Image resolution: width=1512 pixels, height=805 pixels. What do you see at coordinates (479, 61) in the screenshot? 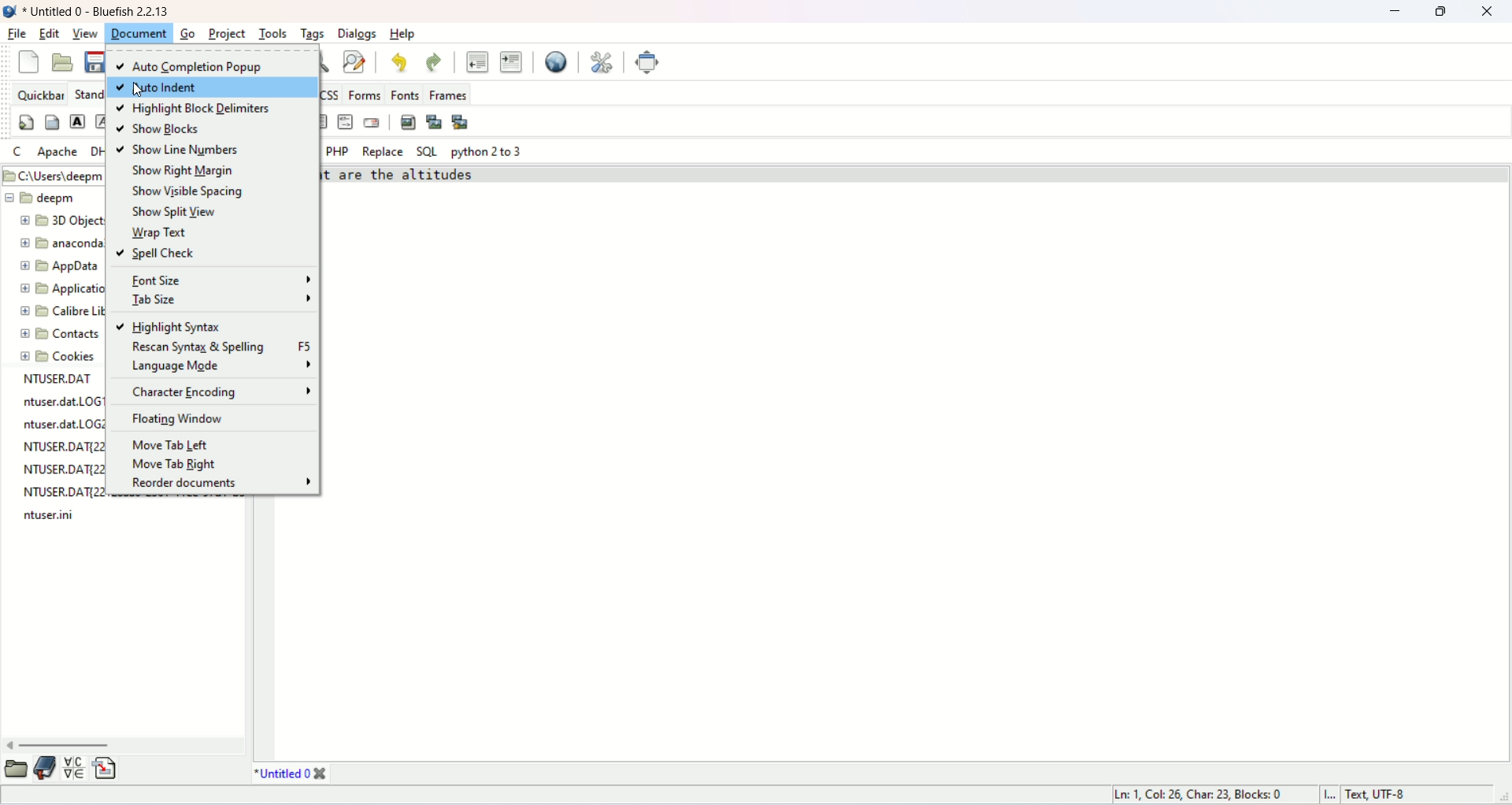
I see `unindent` at bounding box center [479, 61].